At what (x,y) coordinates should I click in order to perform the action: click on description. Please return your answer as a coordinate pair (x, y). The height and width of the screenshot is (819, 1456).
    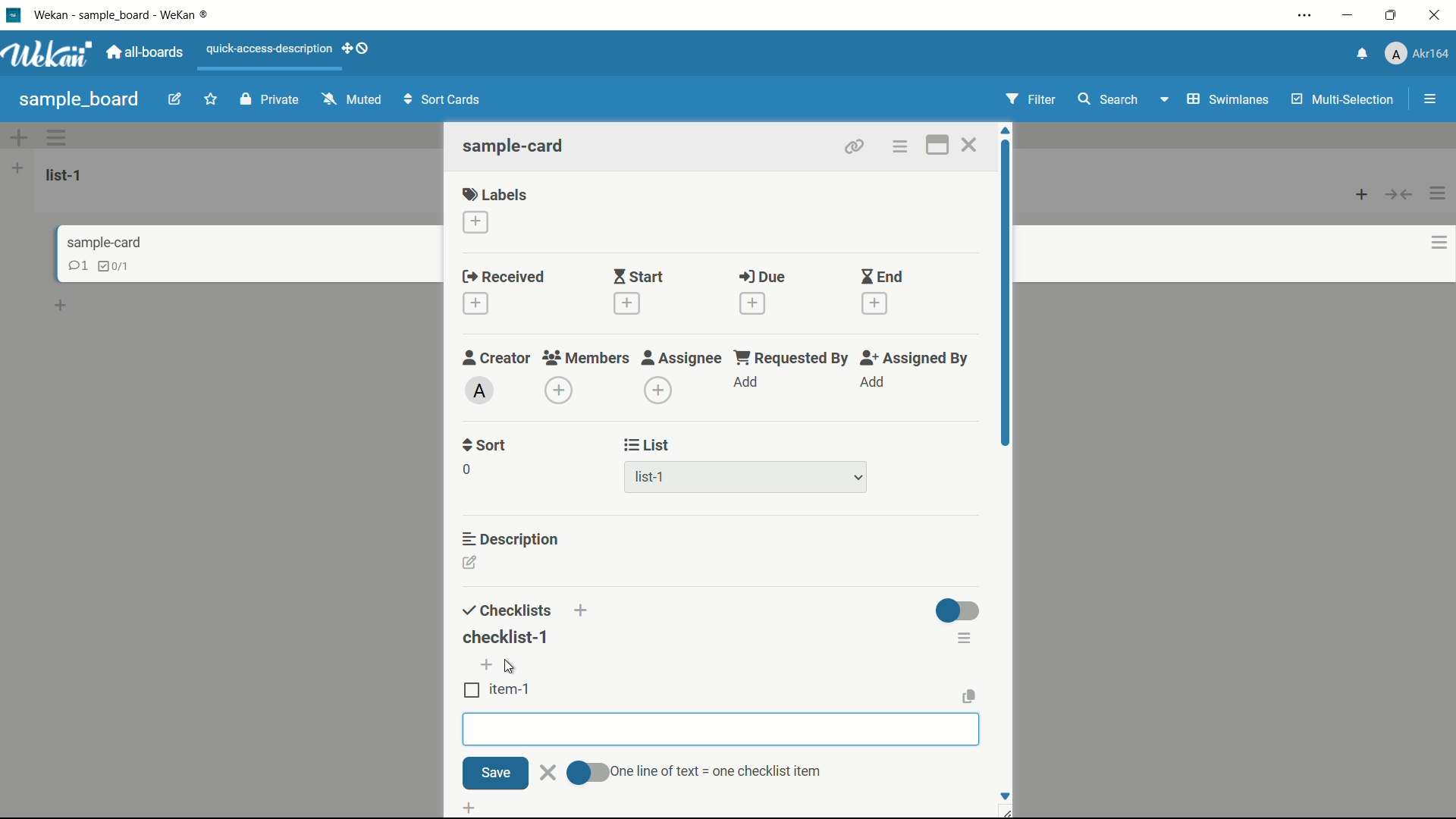
    Looking at the image, I should click on (515, 539).